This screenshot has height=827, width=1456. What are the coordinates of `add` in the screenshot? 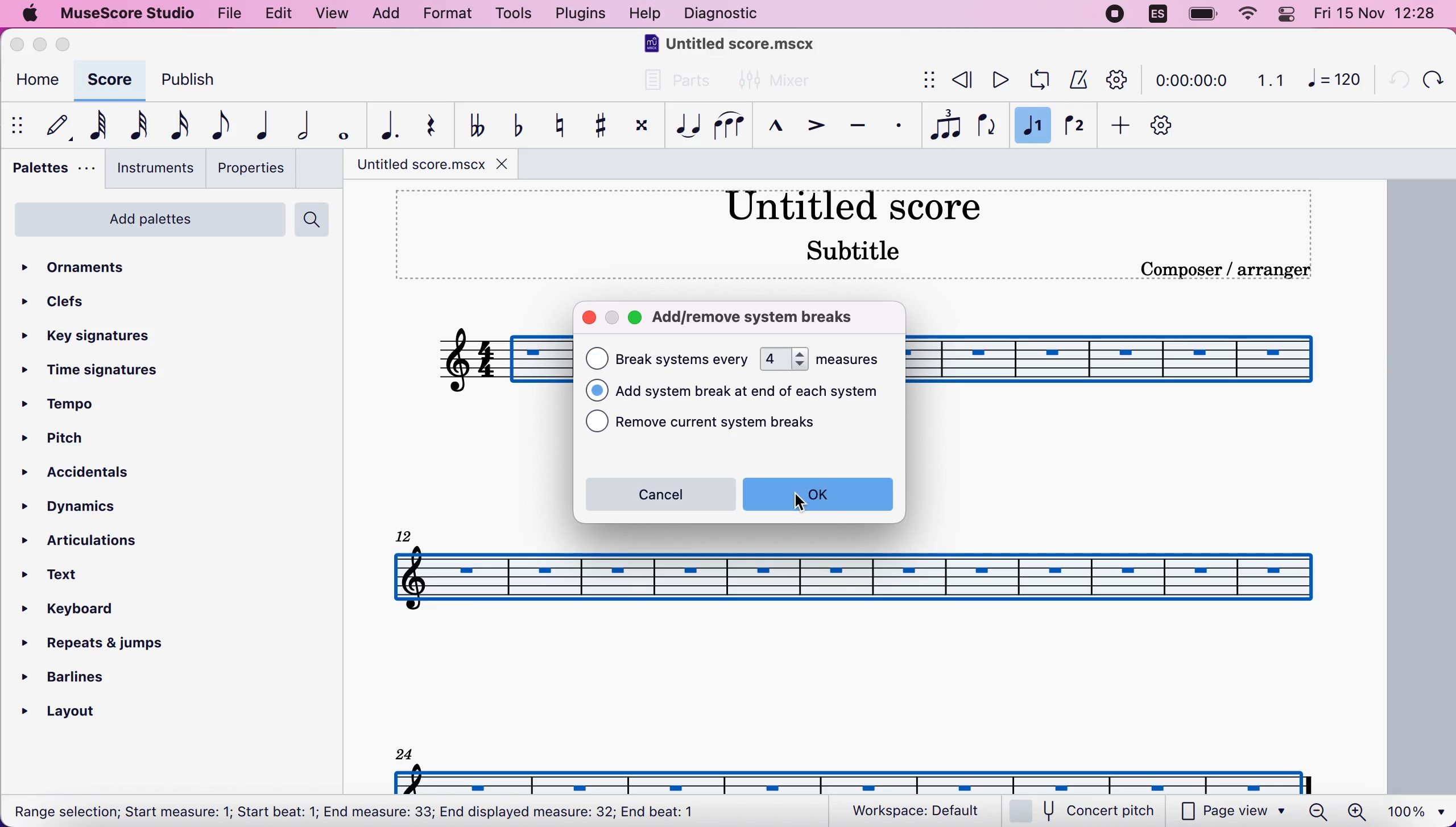 It's located at (1116, 126).